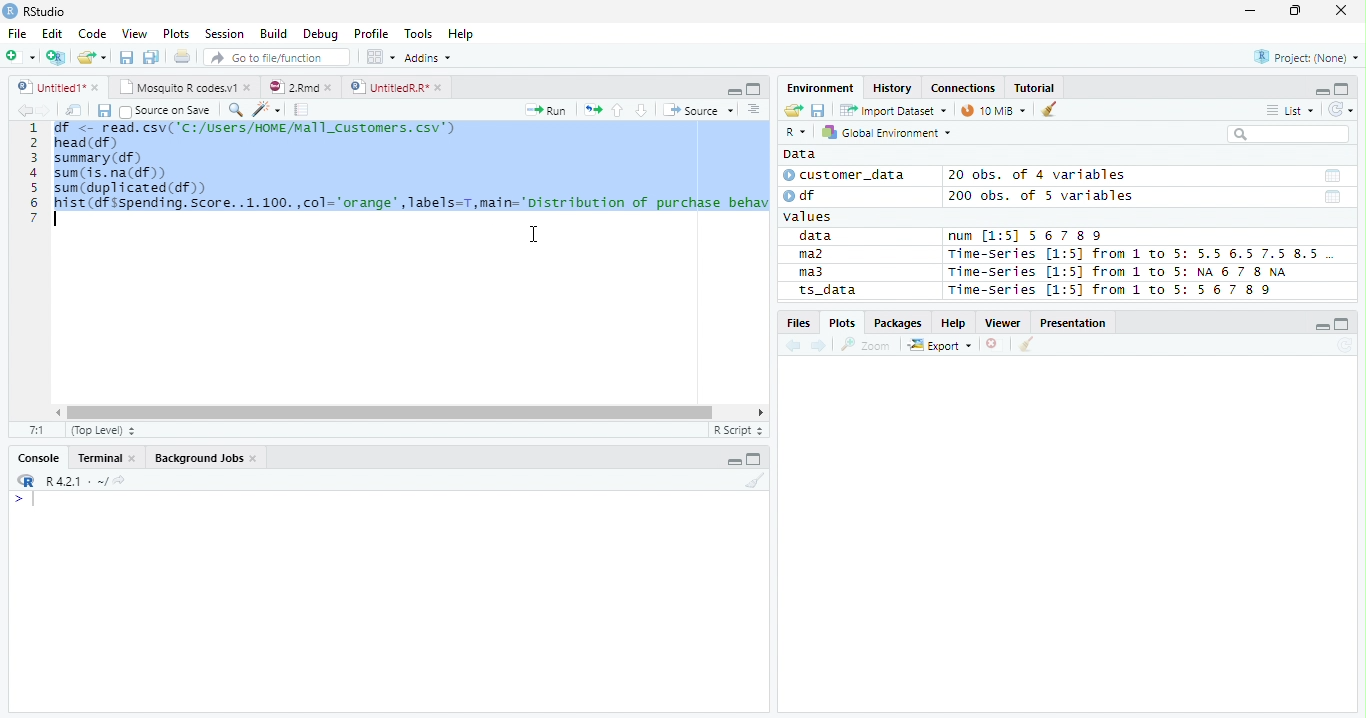 The width and height of the screenshot is (1366, 718). I want to click on Help, so click(463, 34).